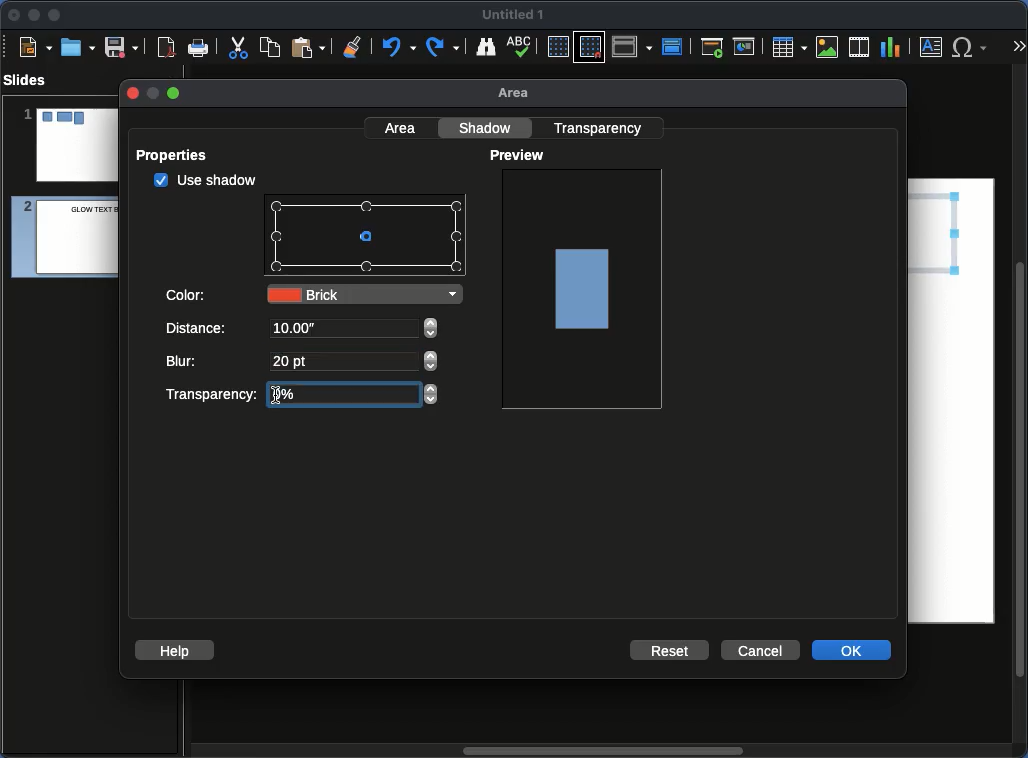 This screenshot has width=1028, height=758. I want to click on Undo, so click(397, 47).